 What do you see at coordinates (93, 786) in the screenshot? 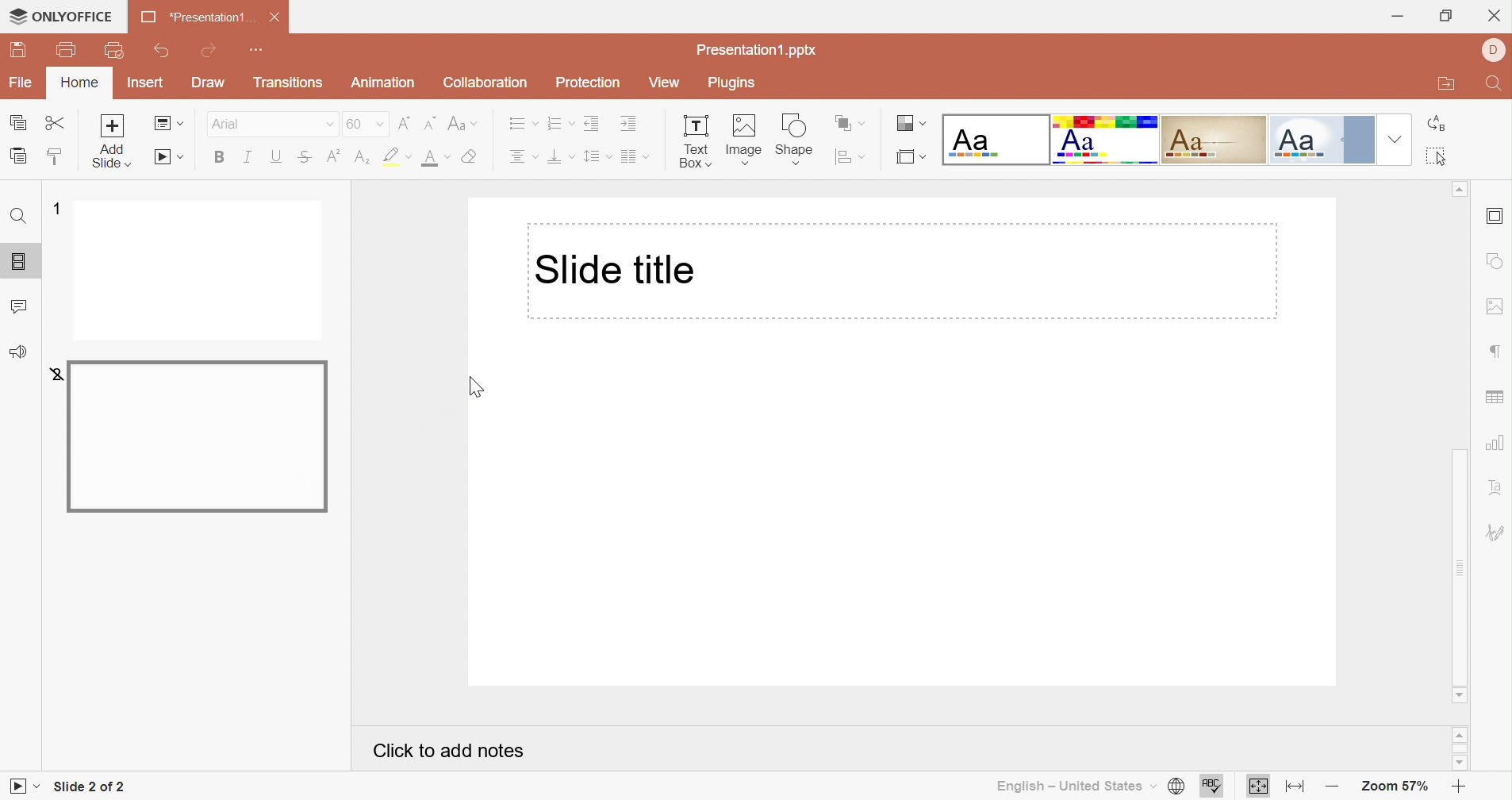
I see `Slide 2 of 2` at bounding box center [93, 786].